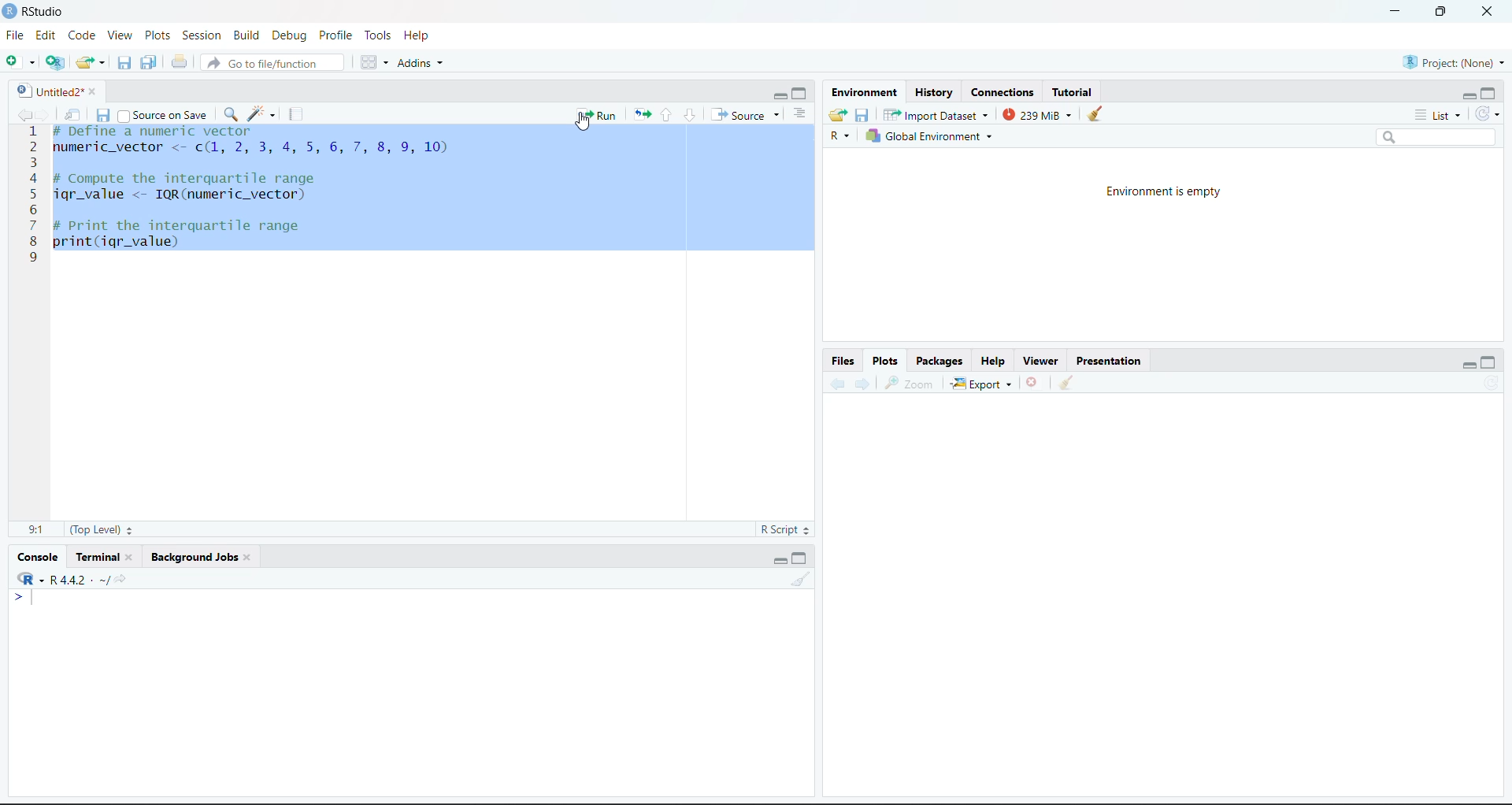 Image resolution: width=1512 pixels, height=805 pixels. What do you see at coordinates (291, 35) in the screenshot?
I see `Debug` at bounding box center [291, 35].